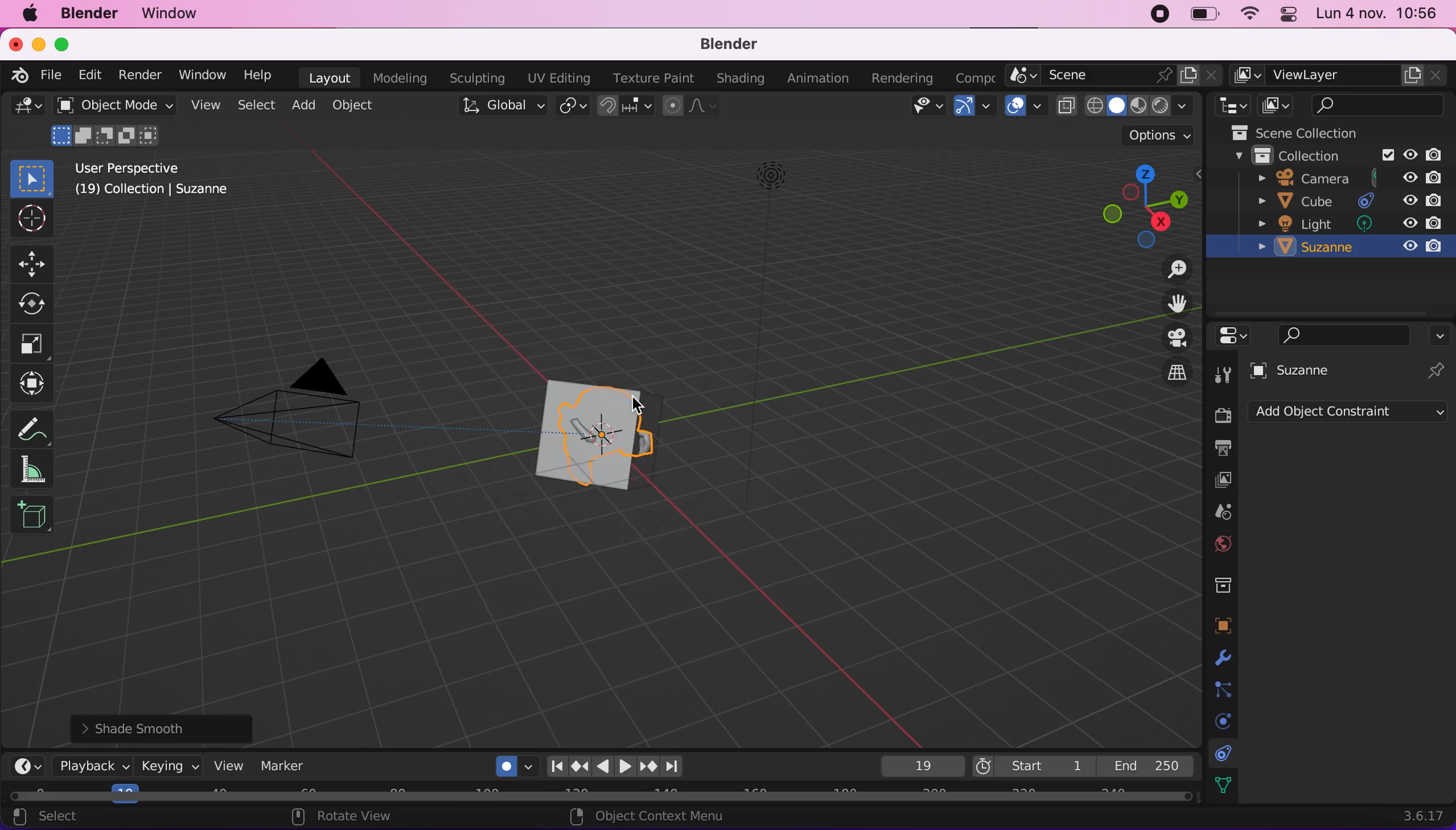 Image resolution: width=1456 pixels, height=830 pixels. What do you see at coordinates (1096, 107) in the screenshot?
I see `wireframe display` at bounding box center [1096, 107].